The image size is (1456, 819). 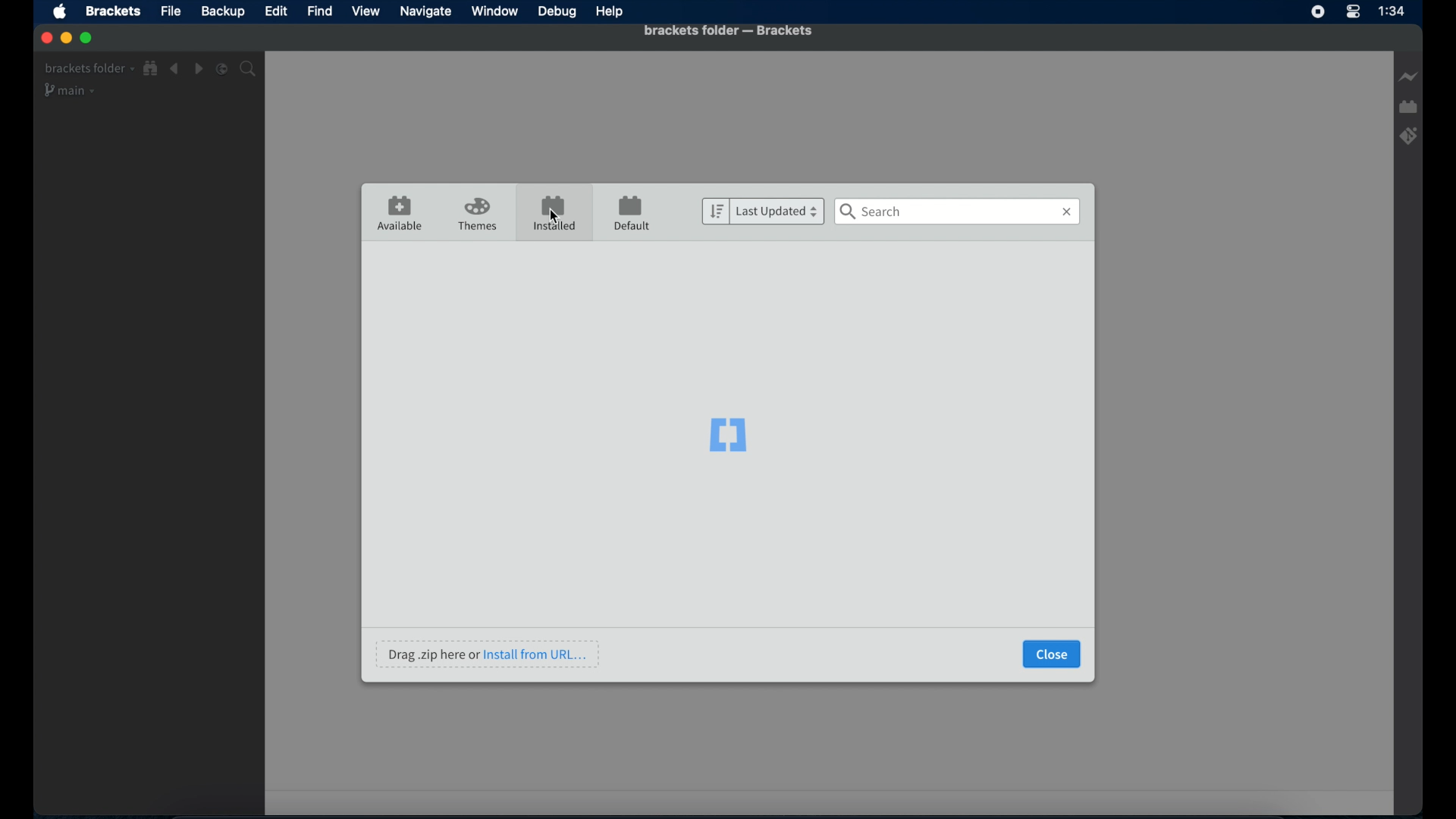 What do you see at coordinates (477, 214) in the screenshot?
I see `themes` at bounding box center [477, 214].